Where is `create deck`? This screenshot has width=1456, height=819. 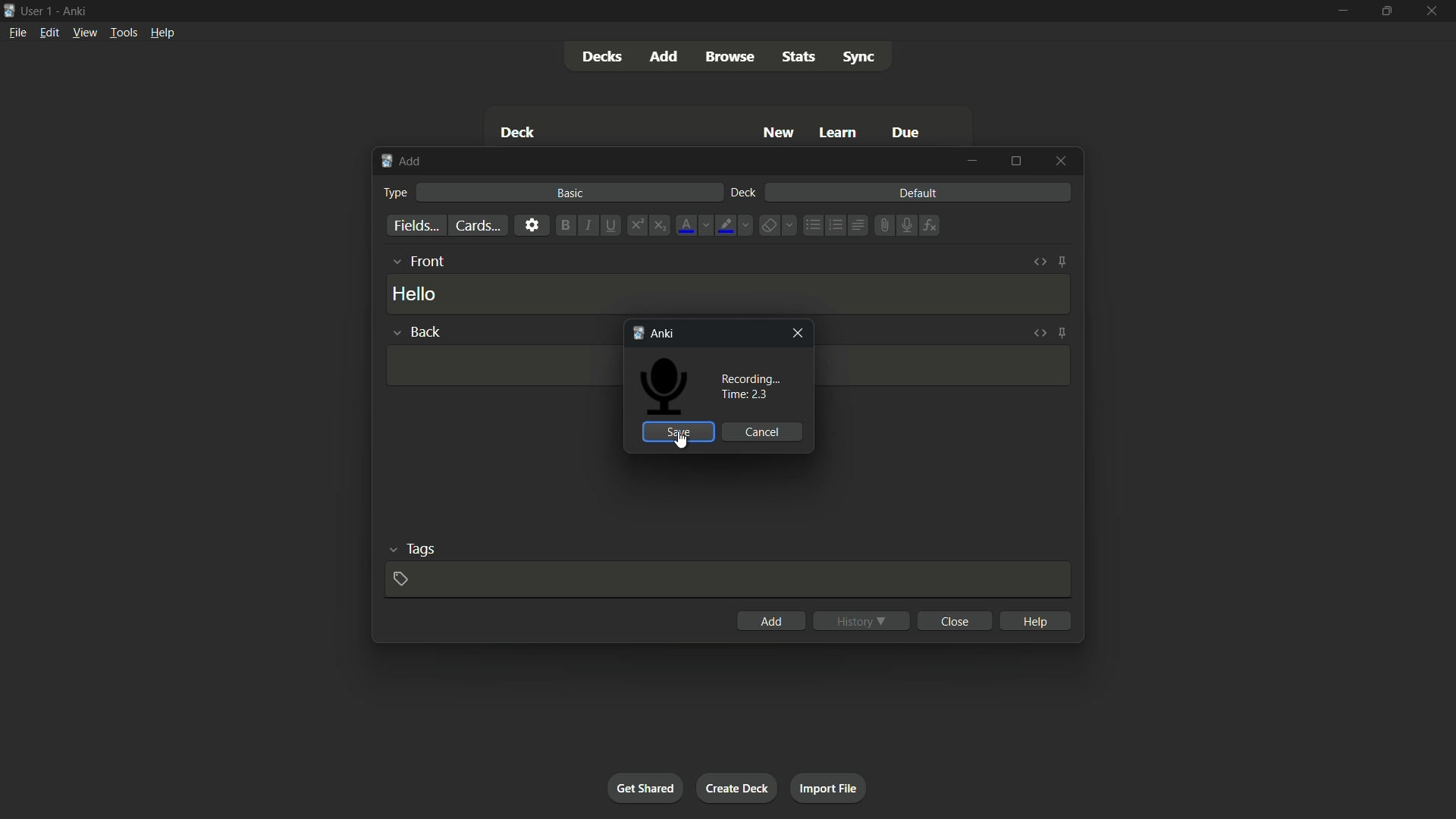
create deck is located at coordinates (739, 787).